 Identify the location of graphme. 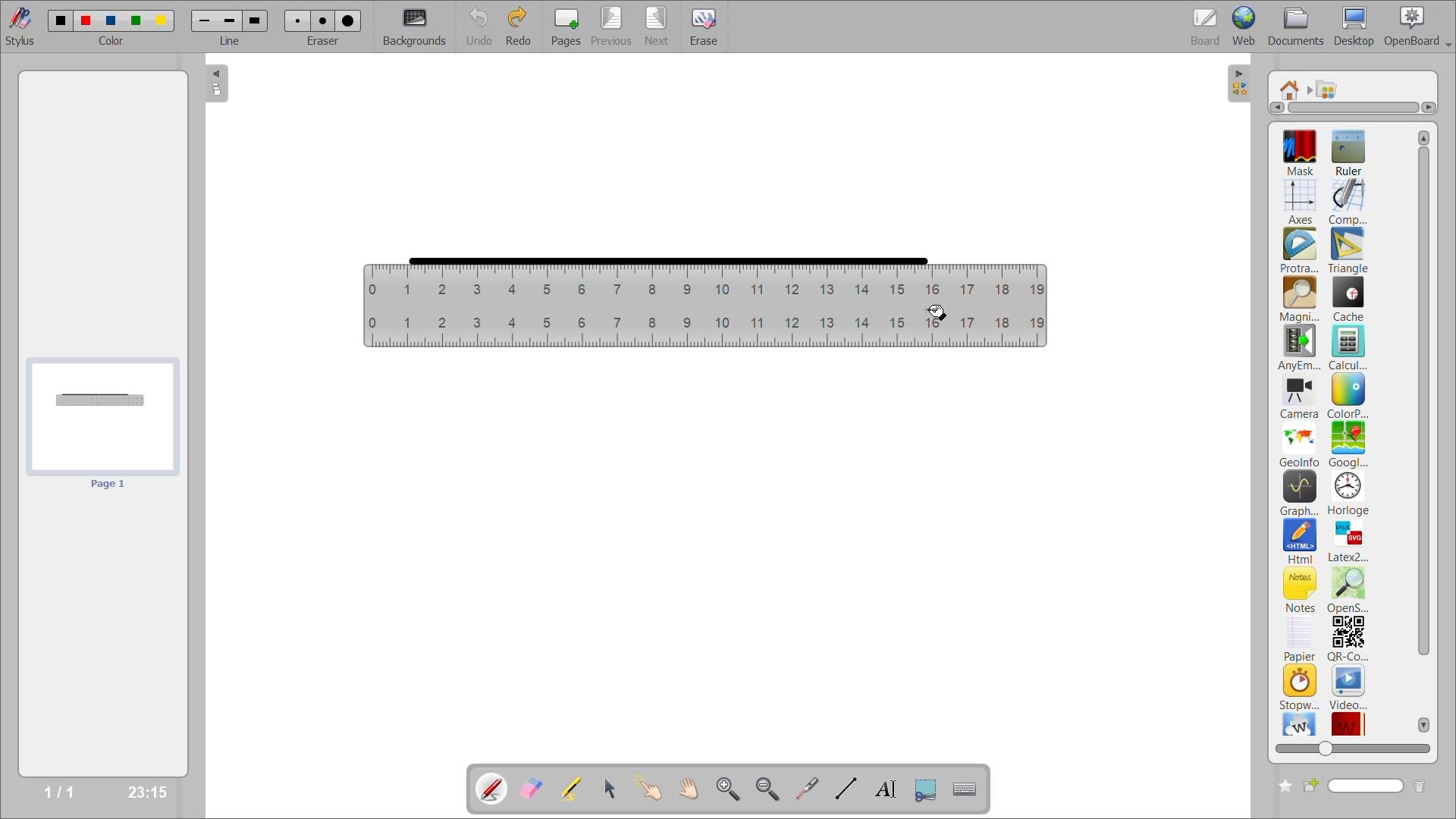
(1300, 494).